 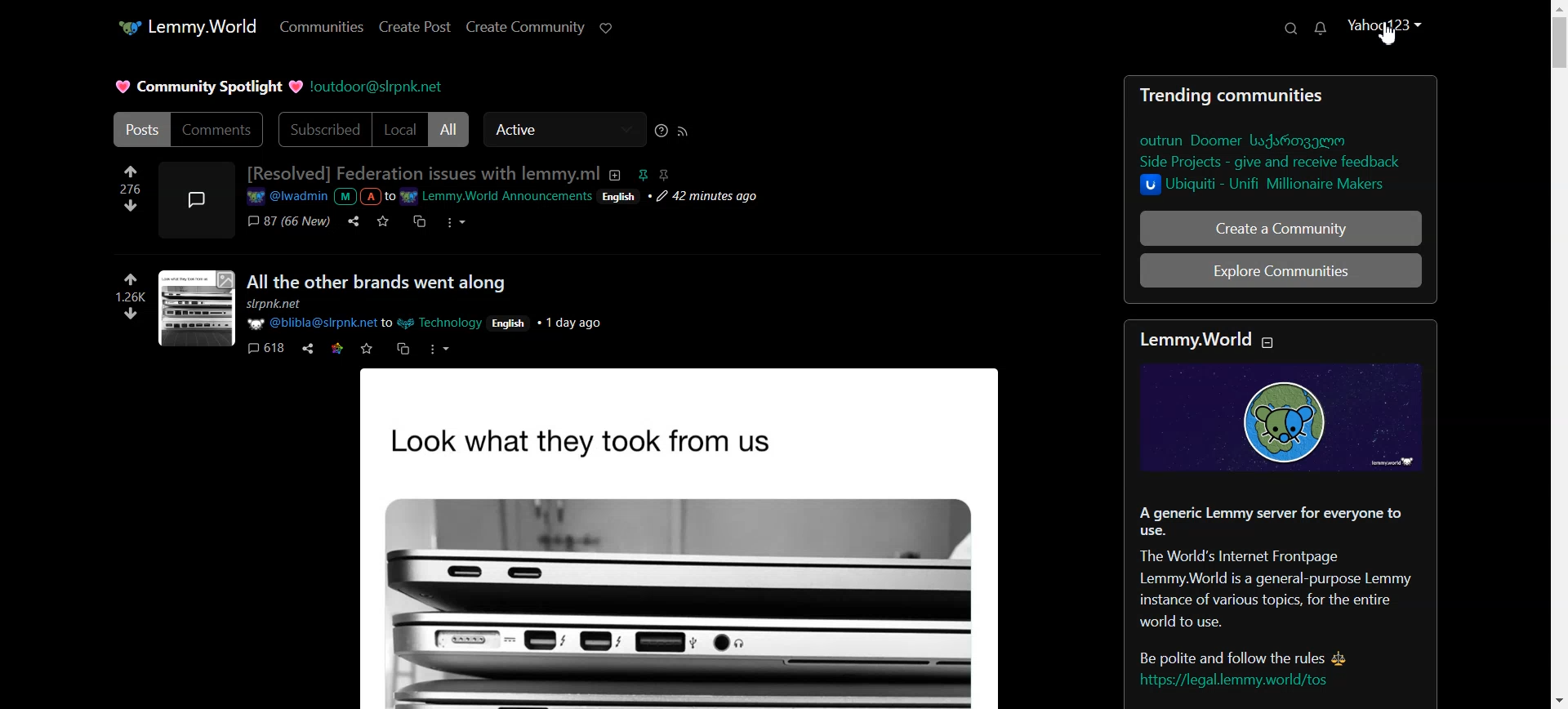 I want to click on 2, so click(x=339, y=349).